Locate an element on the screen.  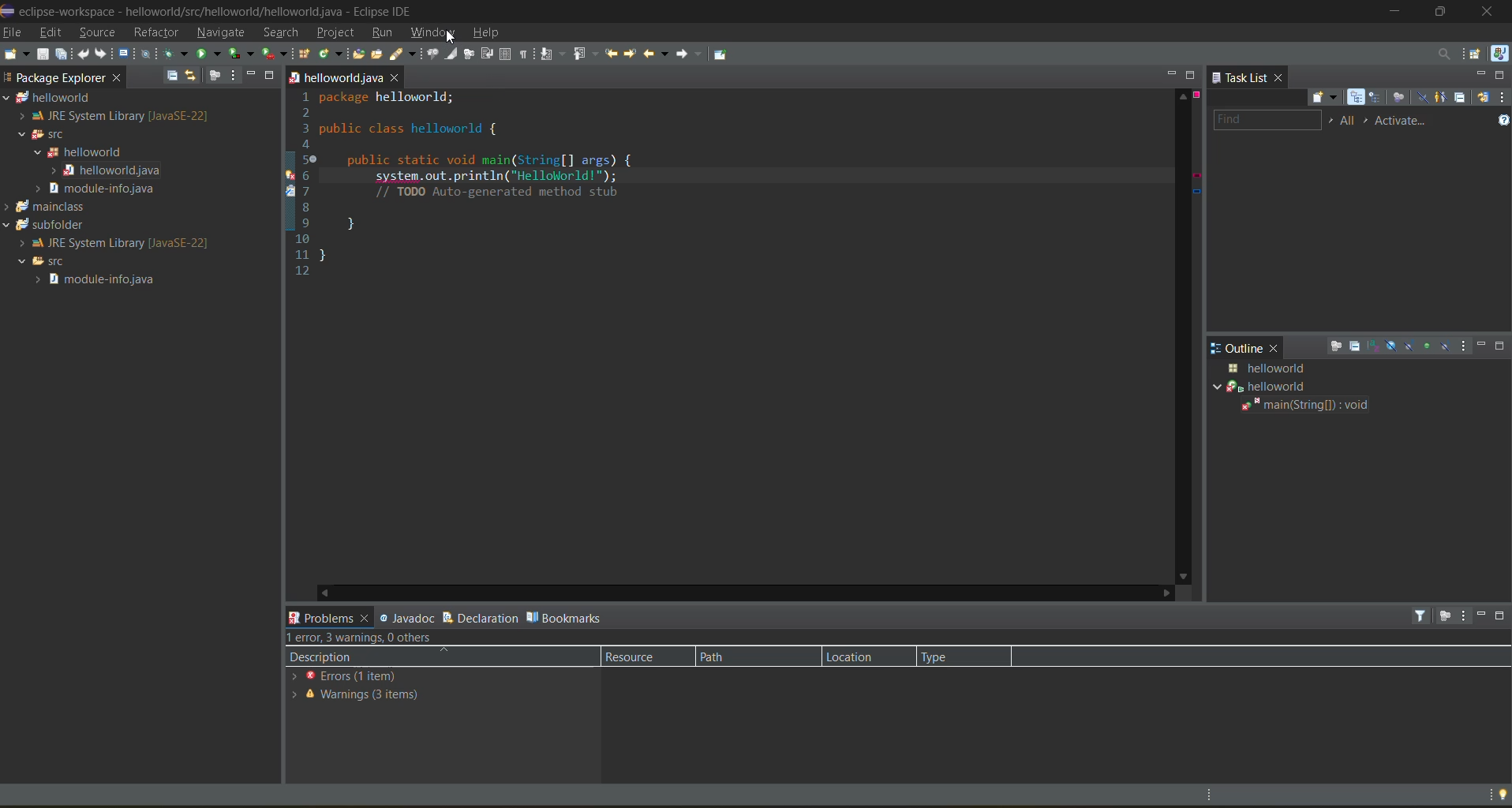
new java package is located at coordinates (305, 54).